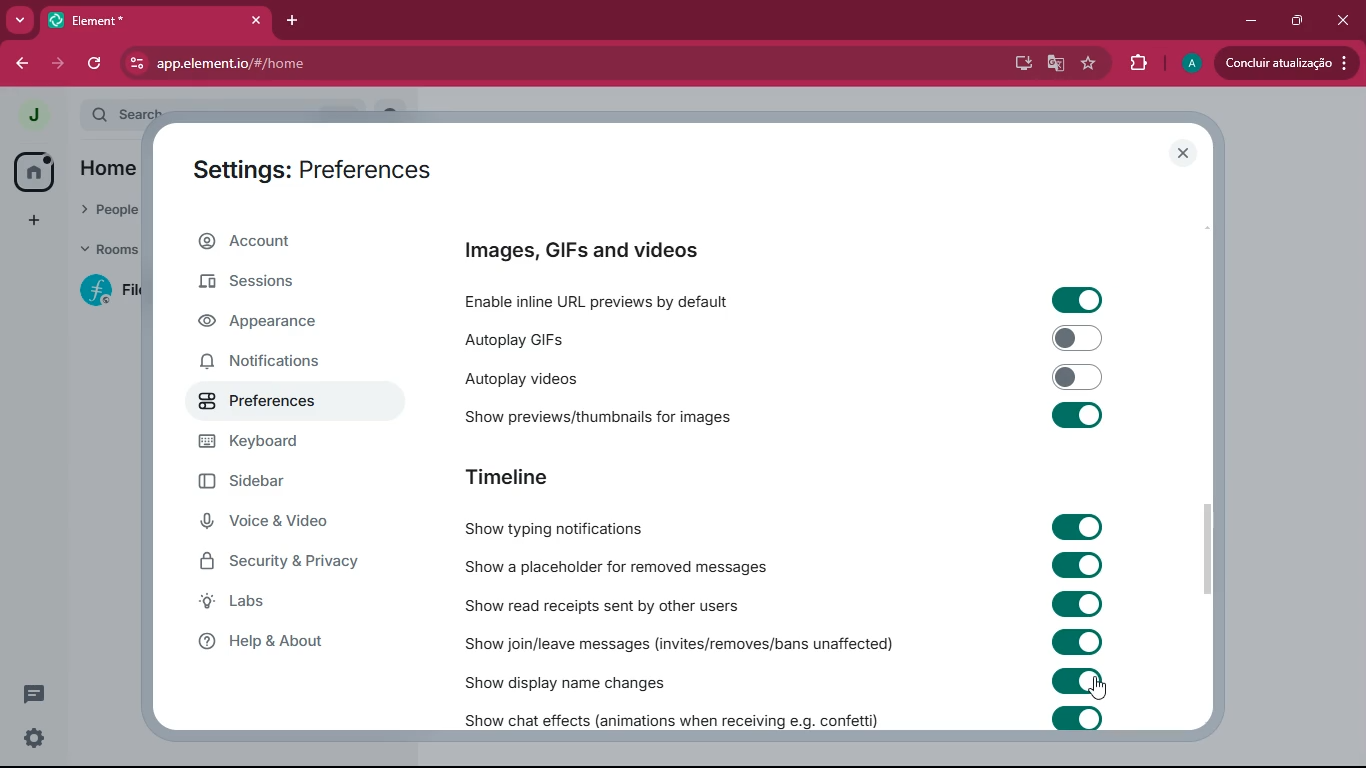 This screenshot has width=1366, height=768. What do you see at coordinates (34, 738) in the screenshot?
I see `quick settings` at bounding box center [34, 738].